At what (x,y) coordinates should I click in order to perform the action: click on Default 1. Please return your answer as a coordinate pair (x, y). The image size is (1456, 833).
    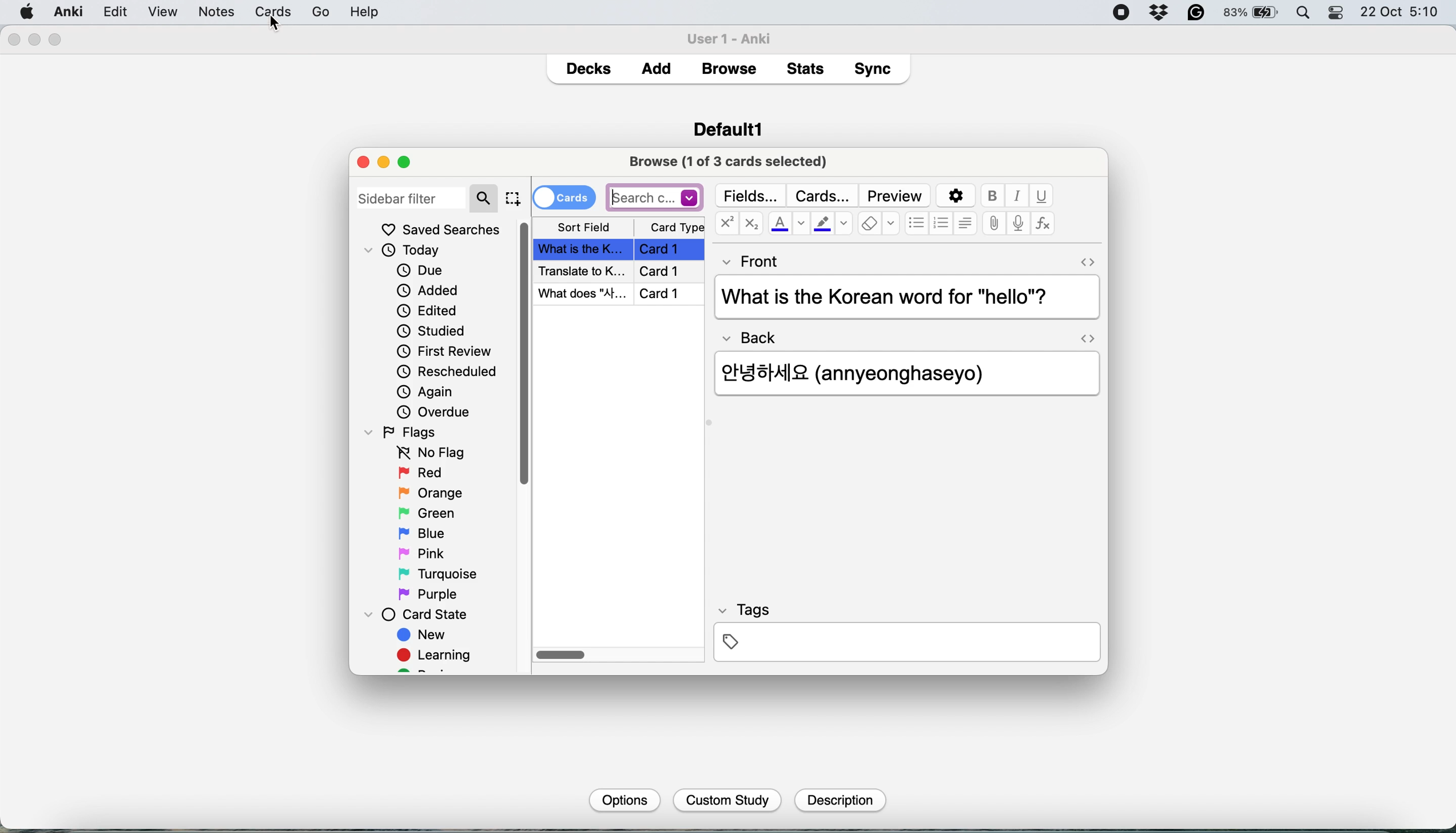
    Looking at the image, I should click on (728, 128).